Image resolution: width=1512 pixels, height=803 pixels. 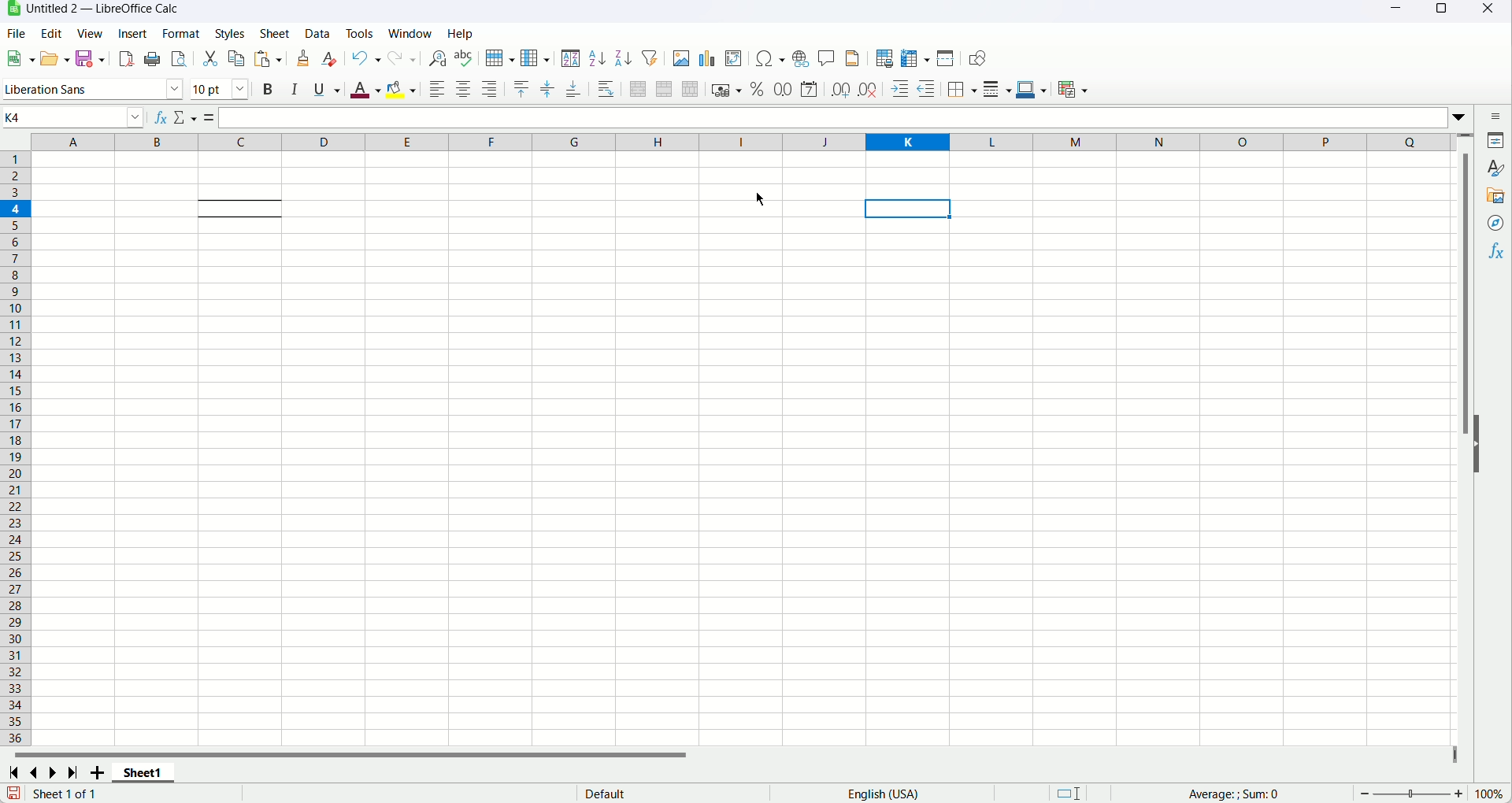 I want to click on Expand formula bar, so click(x=1462, y=116).